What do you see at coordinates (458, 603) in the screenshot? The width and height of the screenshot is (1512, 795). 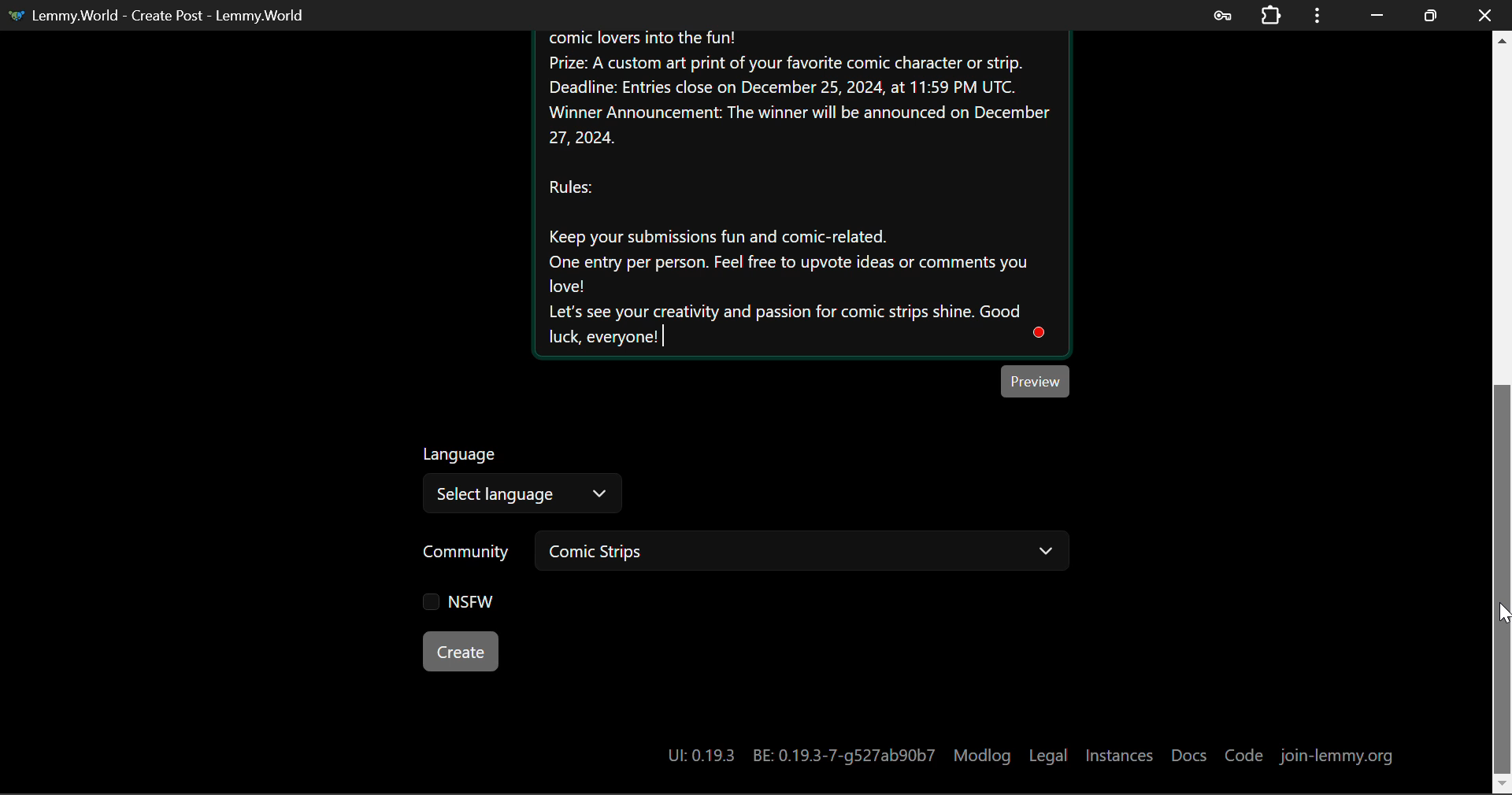 I see `NSFW` at bounding box center [458, 603].